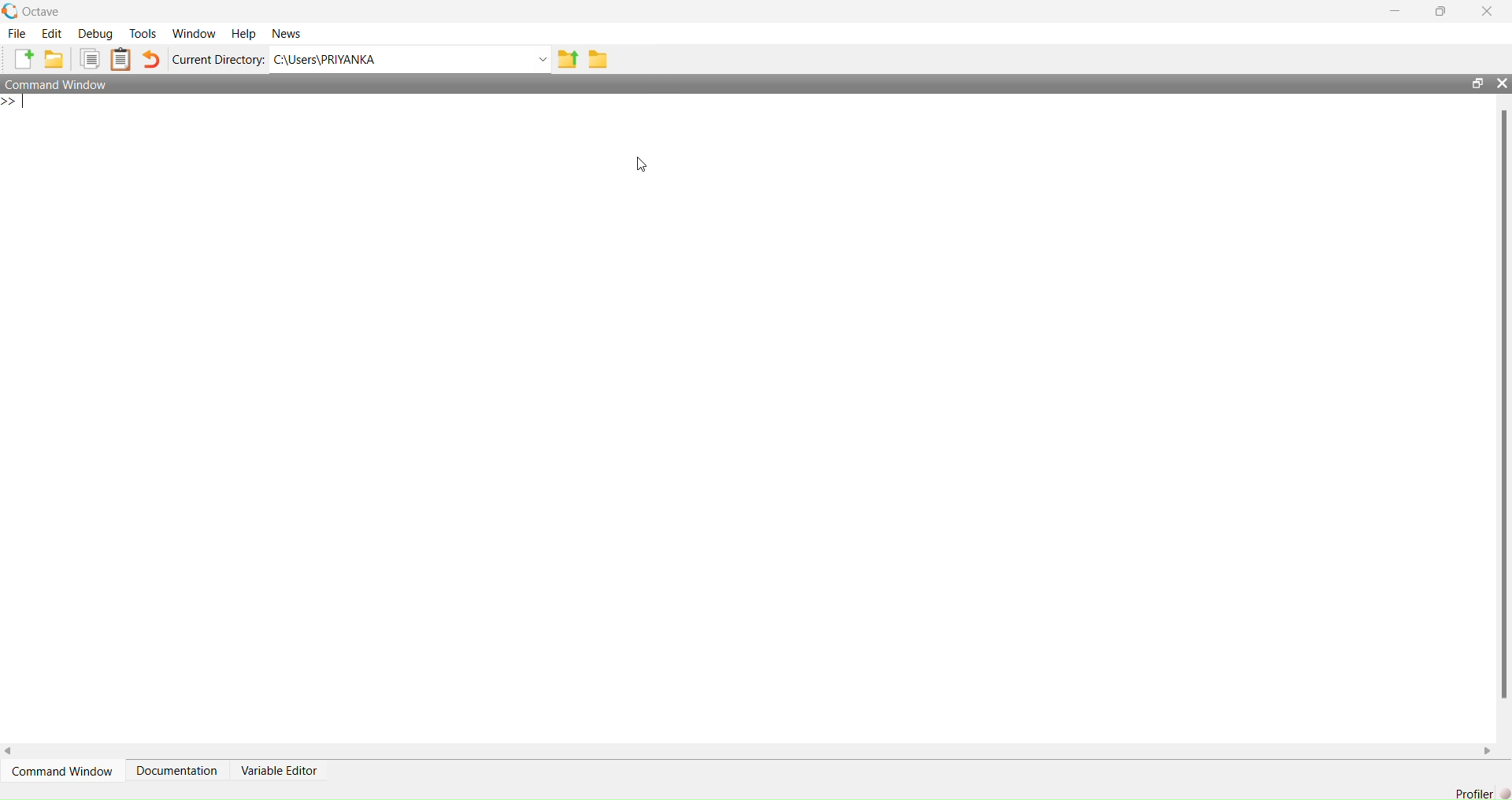 The image size is (1512, 800). What do you see at coordinates (1501, 83) in the screenshot?
I see `close` at bounding box center [1501, 83].